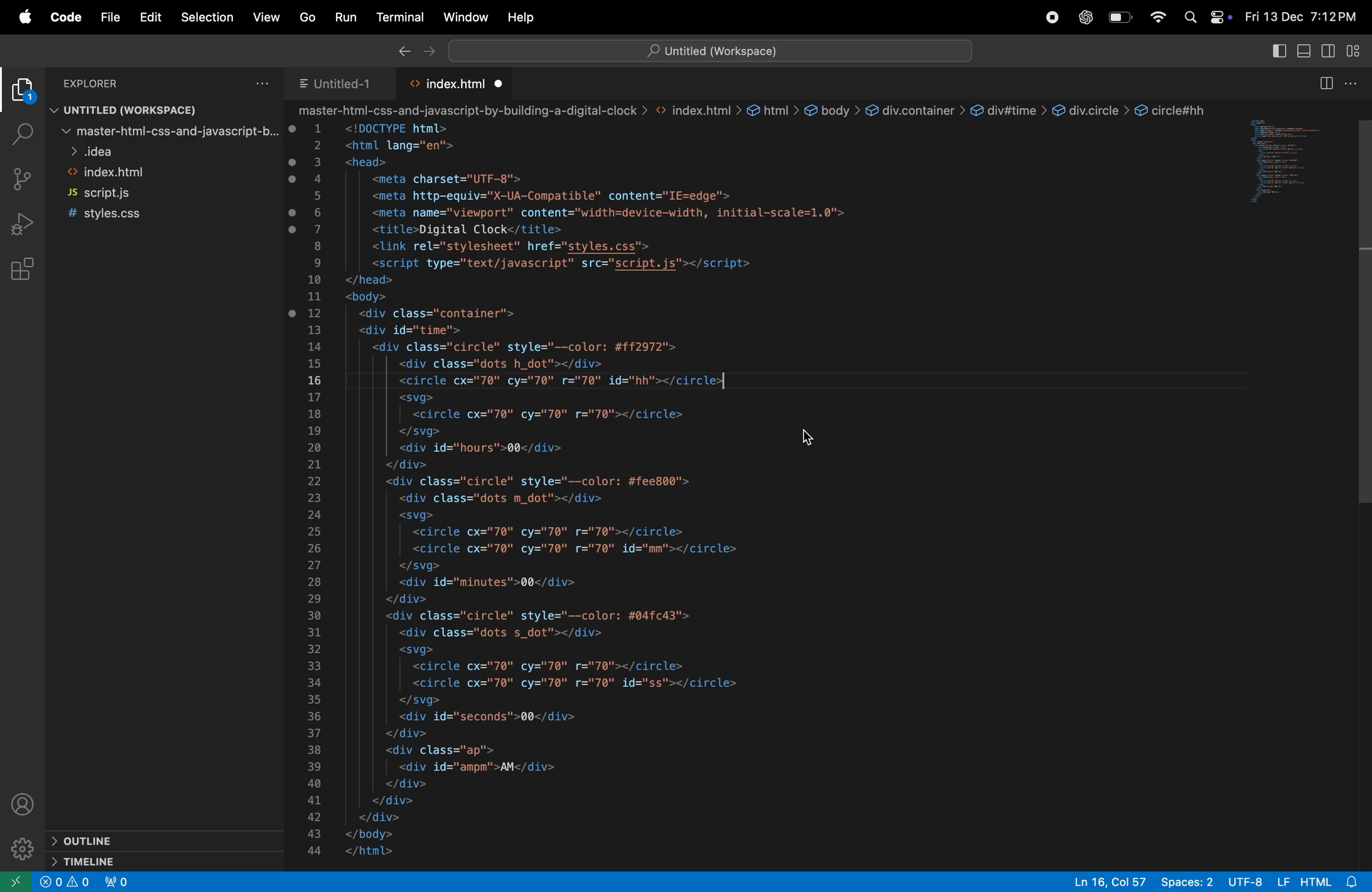  I want to click on RUN, so click(348, 16).